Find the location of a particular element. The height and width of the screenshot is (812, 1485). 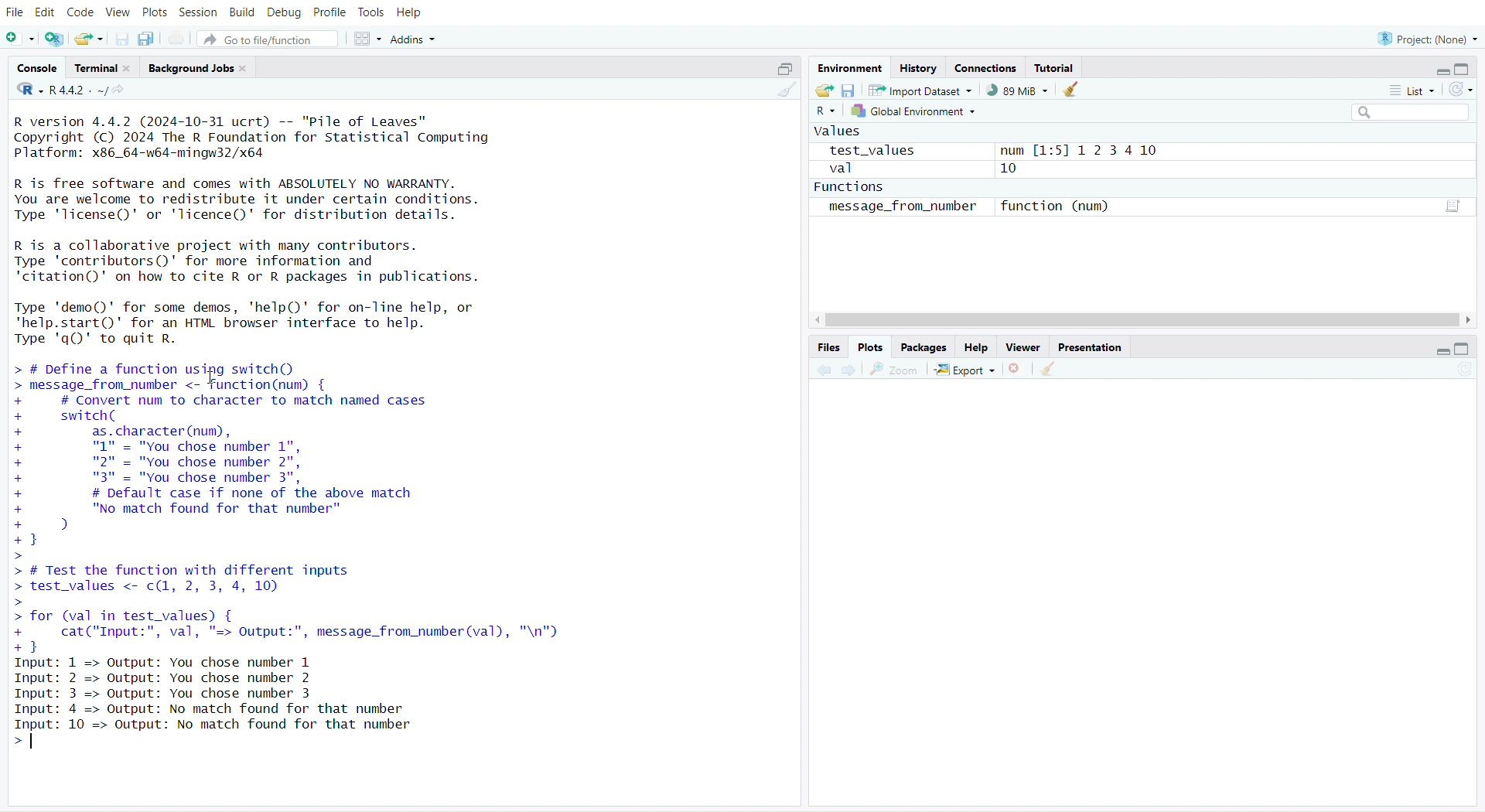

Help is located at coordinates (975, 346).